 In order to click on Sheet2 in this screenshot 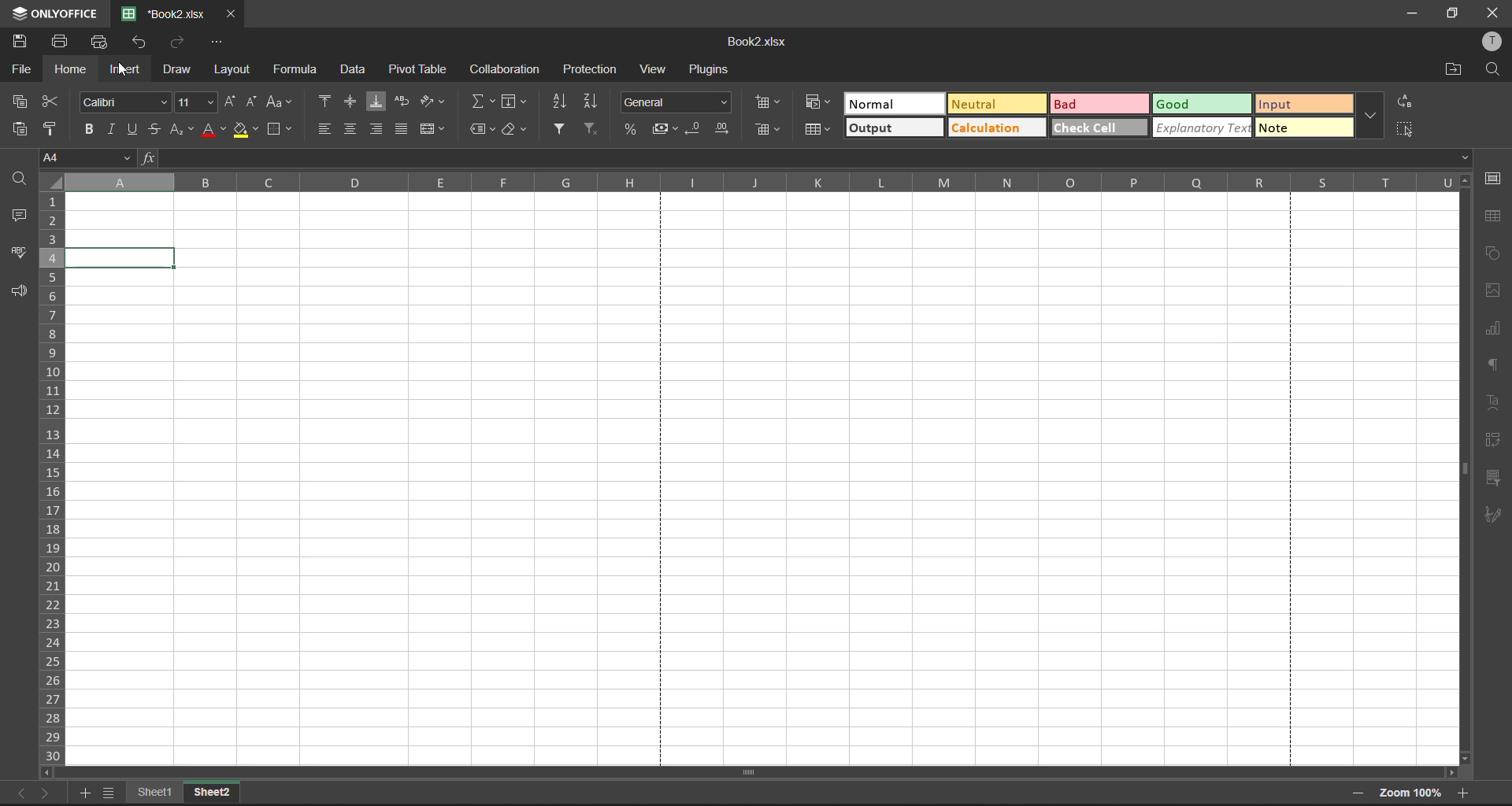, I will do `click(214, 792)`.